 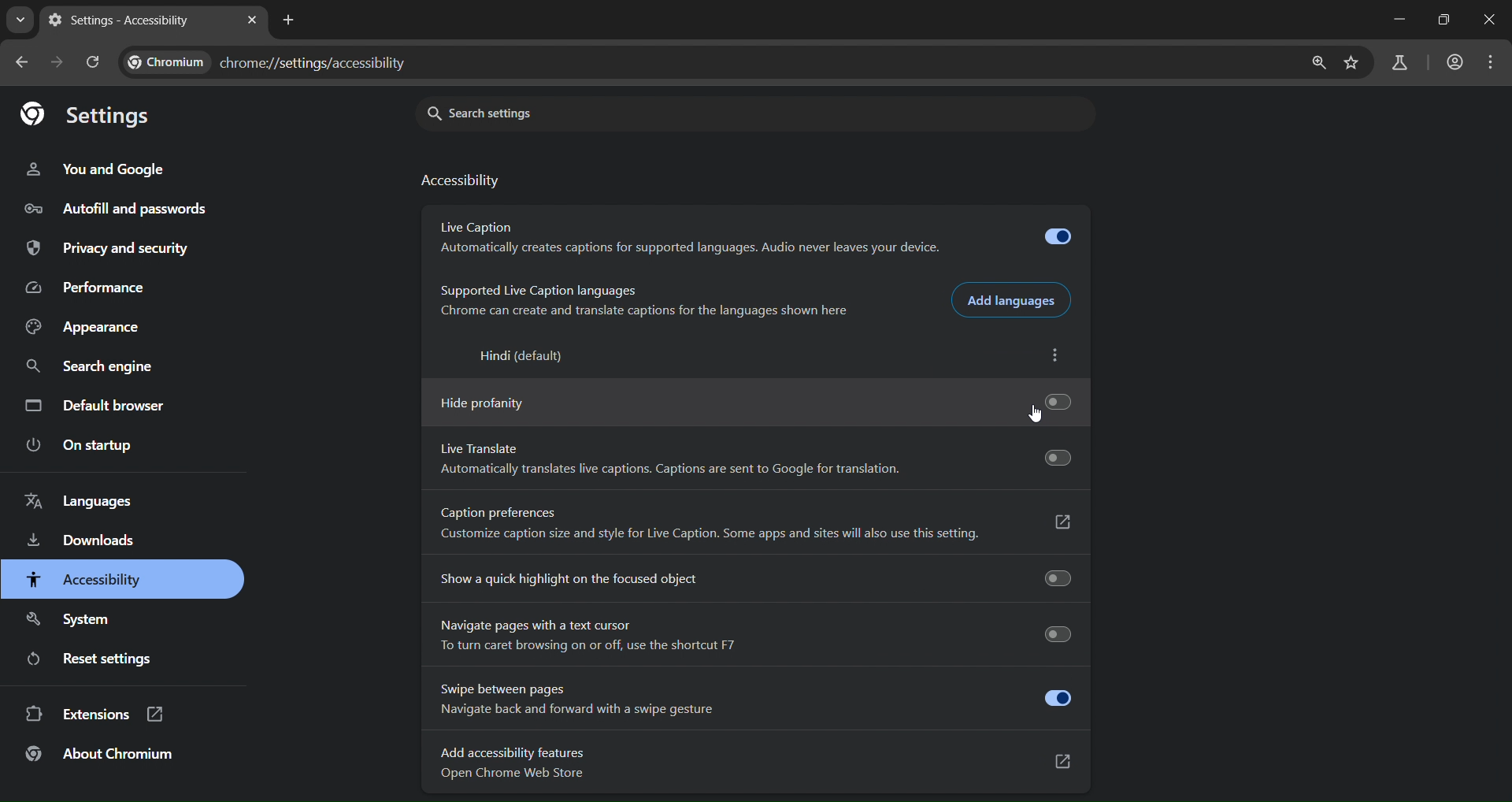 What do you see at coordinates (288, 22) in the screenshot?
I see `new tab` at bounding box center [288, 22].